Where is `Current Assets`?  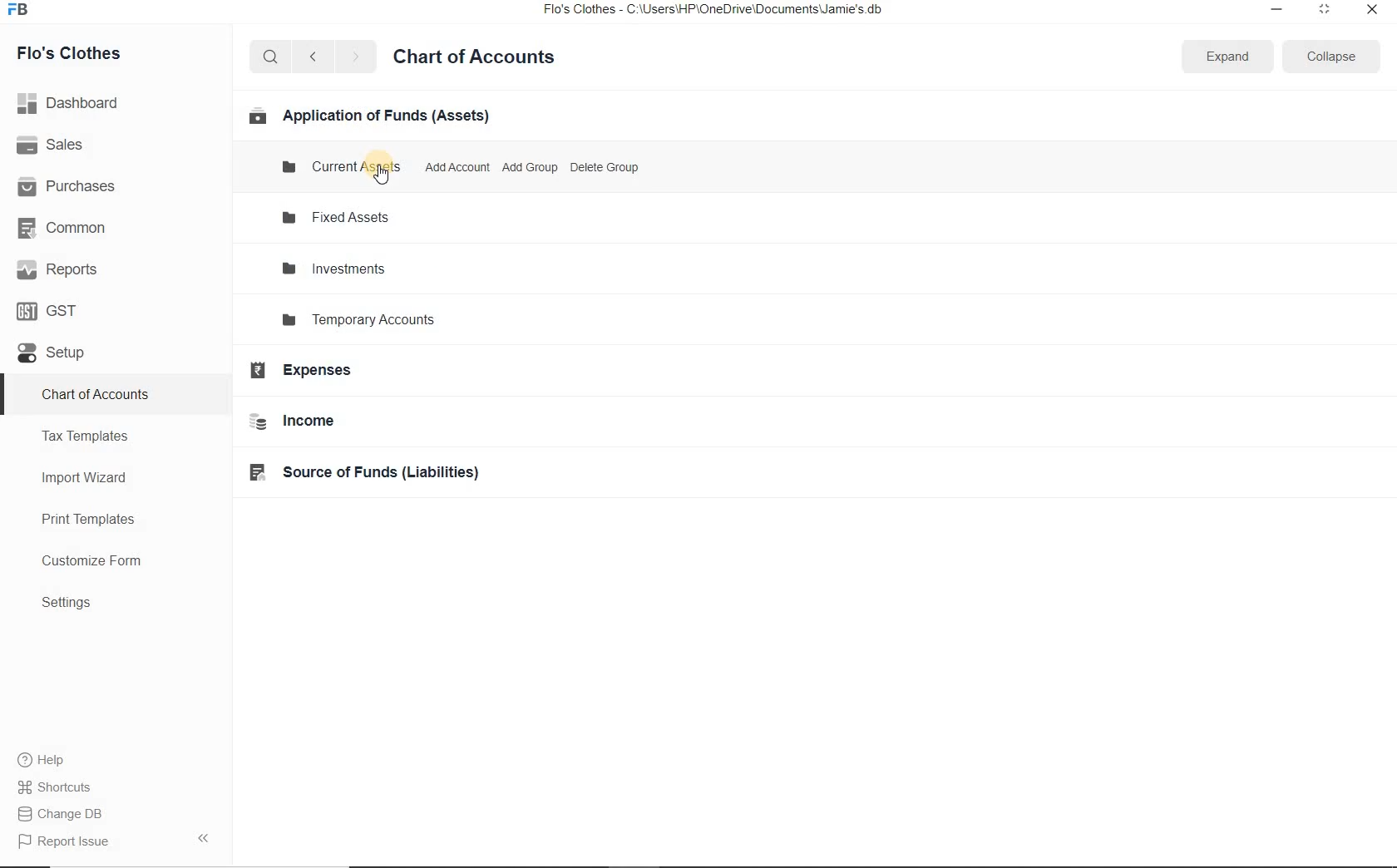 Current Assets is located at coordinates (342, 165).